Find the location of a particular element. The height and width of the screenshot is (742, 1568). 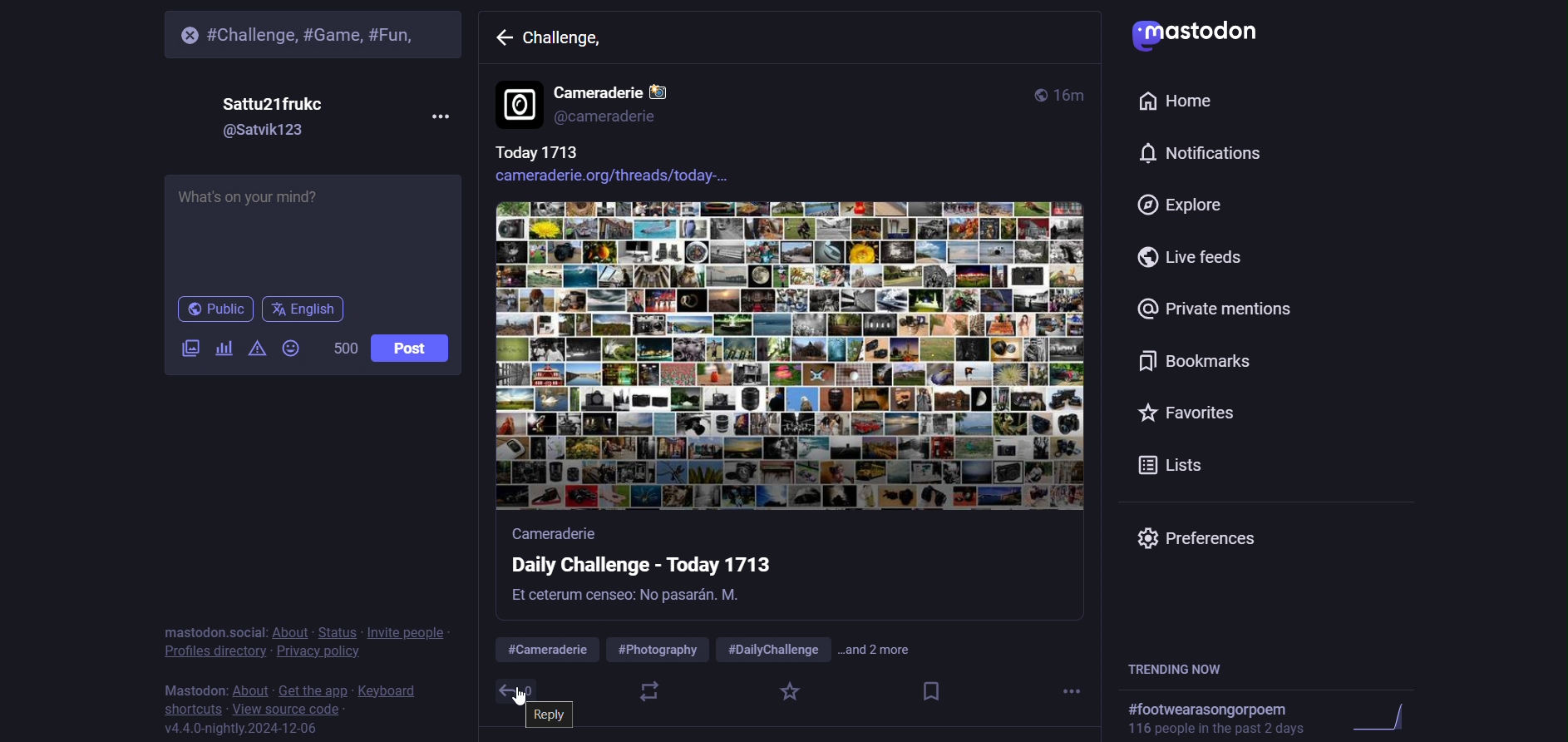

cursor is located at coordinates (522, 696).